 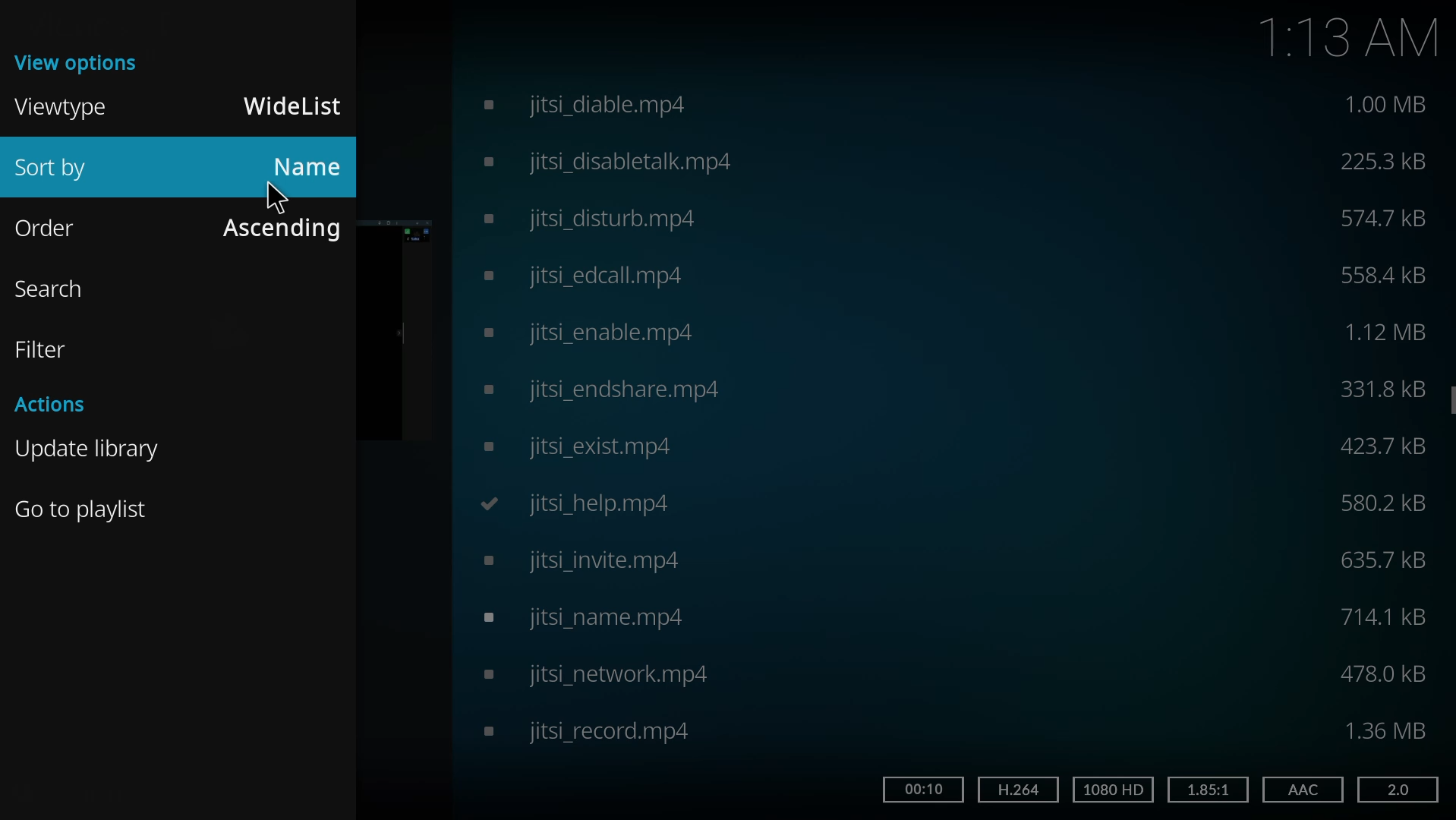 What do you see at coordinates (573, 449) in the screenshot?
I see `video` at bounding box center [573, 449].